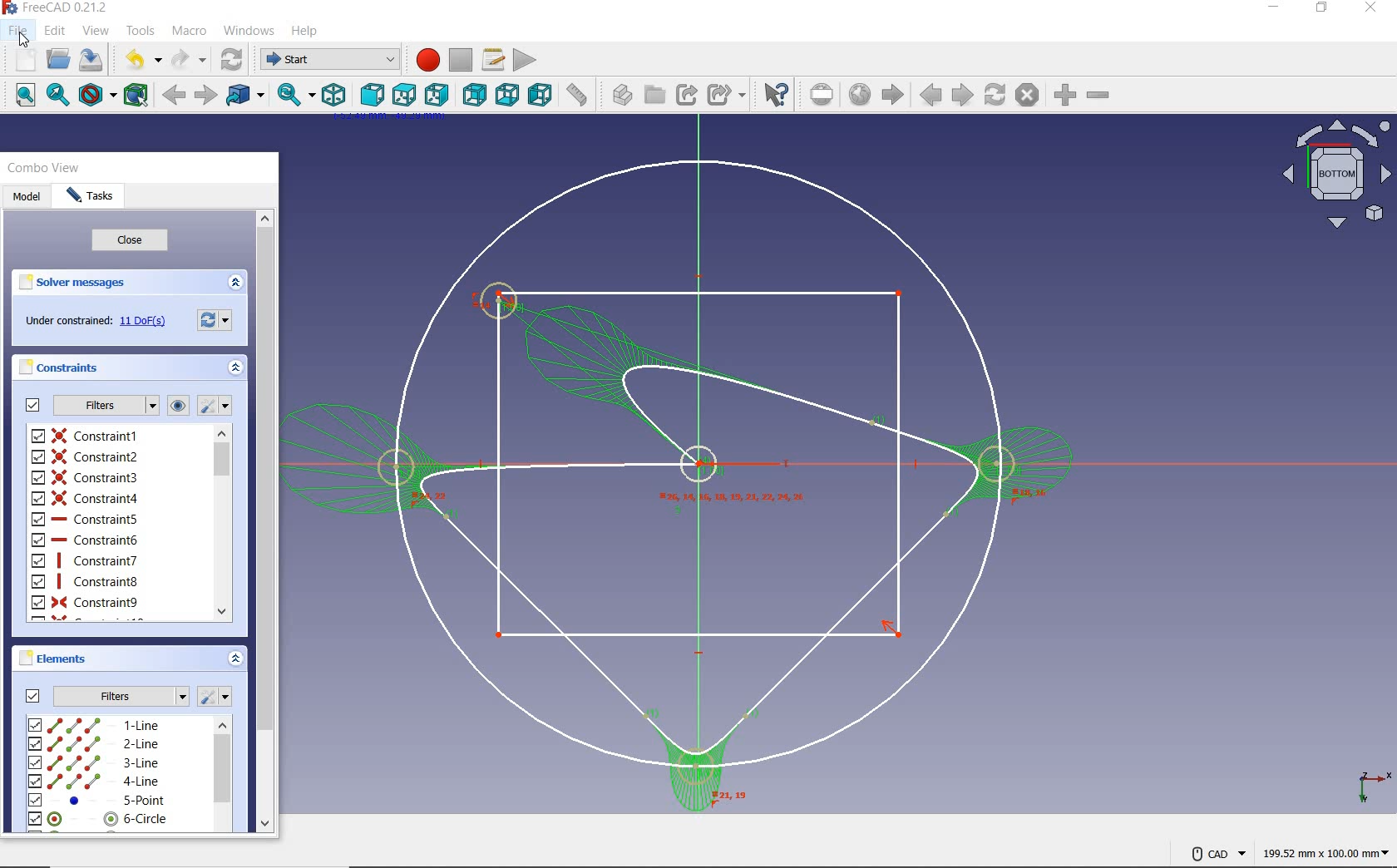  I want to click on macro recording, so click(423, 58).